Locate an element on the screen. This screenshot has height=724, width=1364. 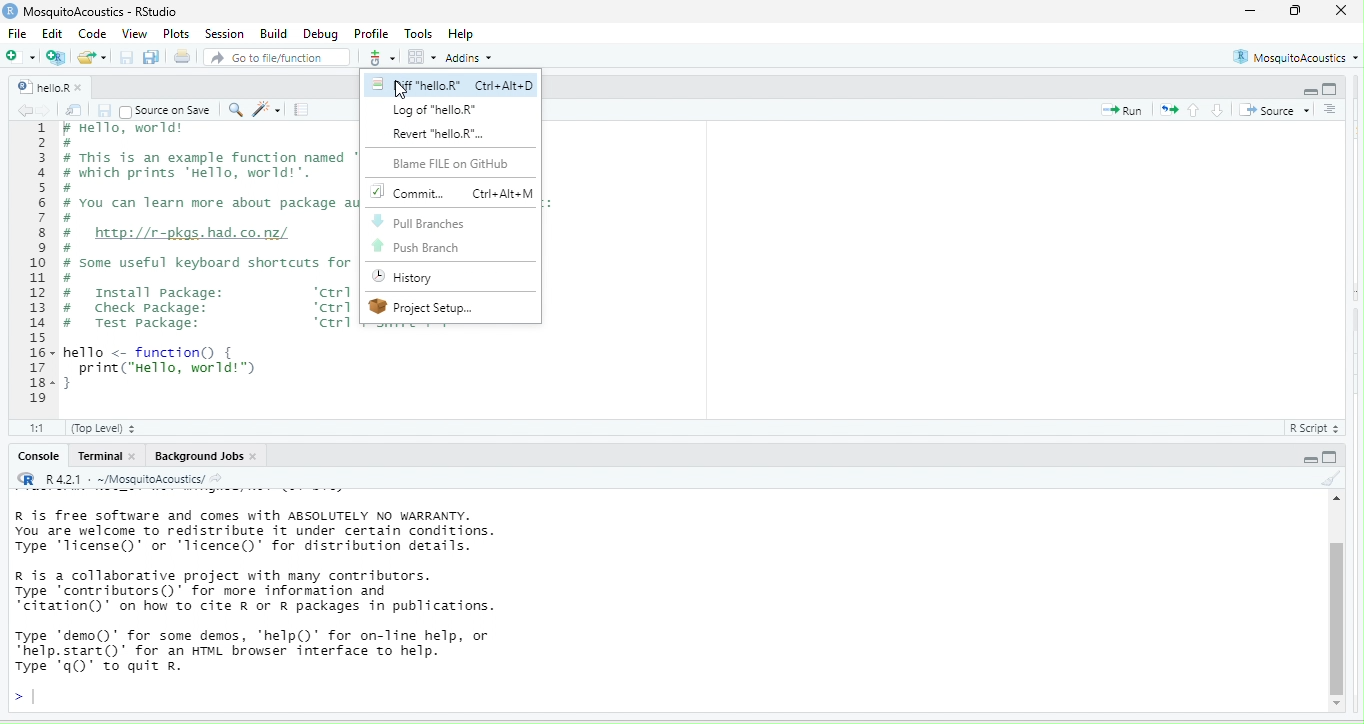
View is located at coordinates (130, 34).